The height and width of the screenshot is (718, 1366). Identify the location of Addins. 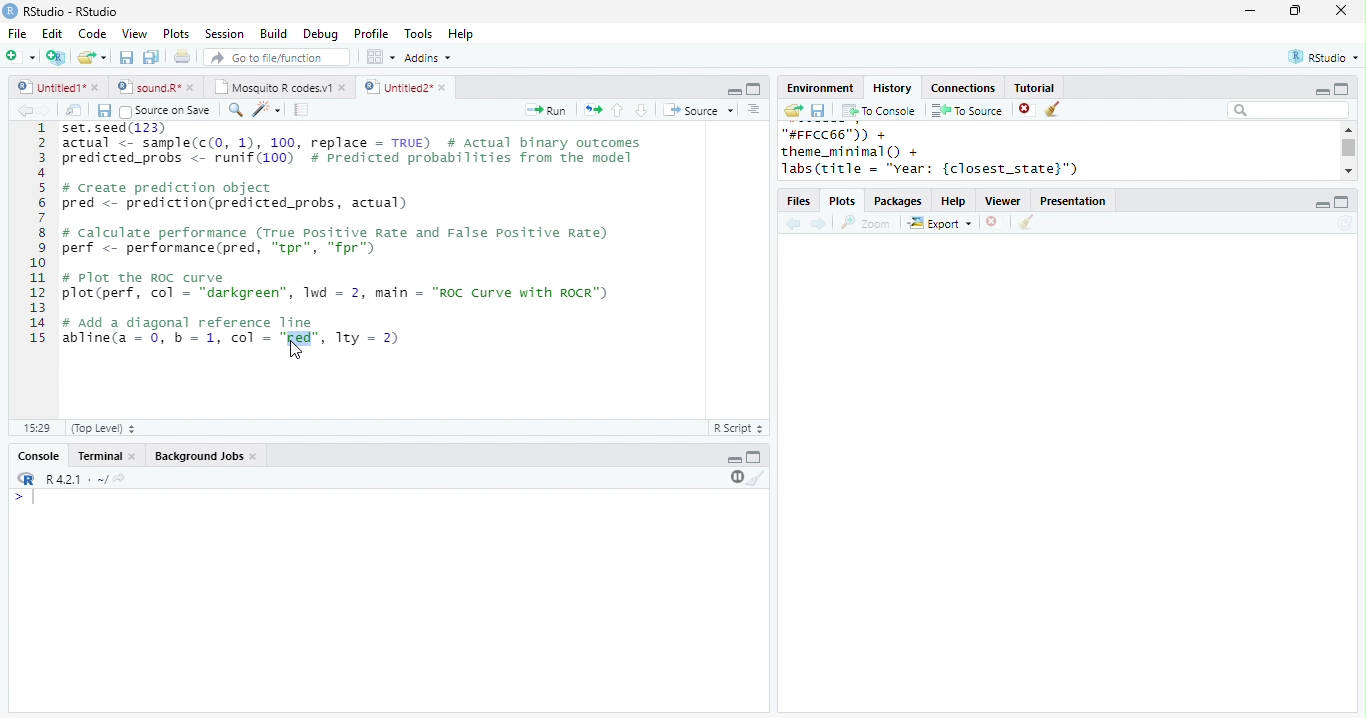
(428, 58).